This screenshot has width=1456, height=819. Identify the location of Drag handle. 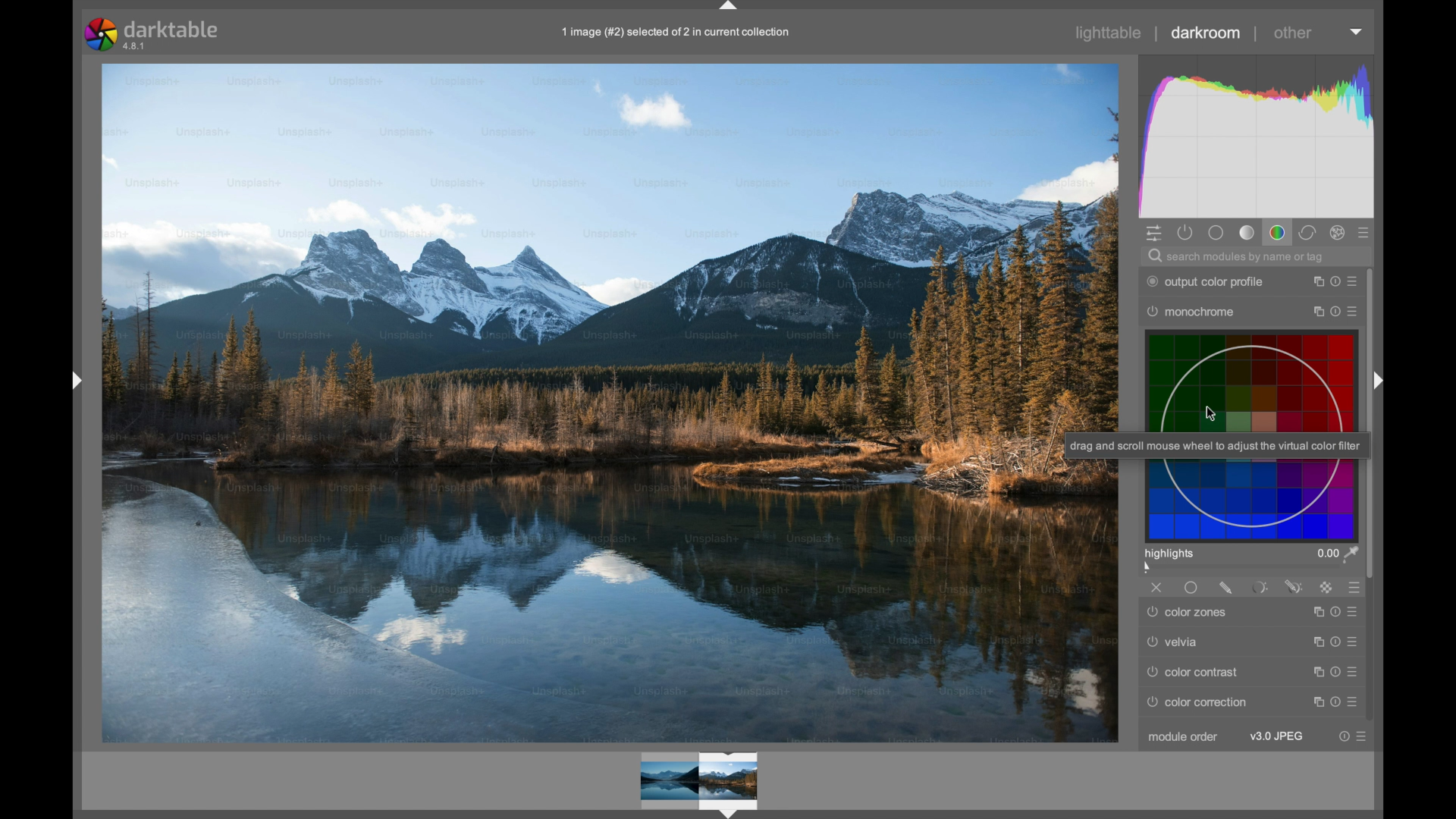
(76, 378).